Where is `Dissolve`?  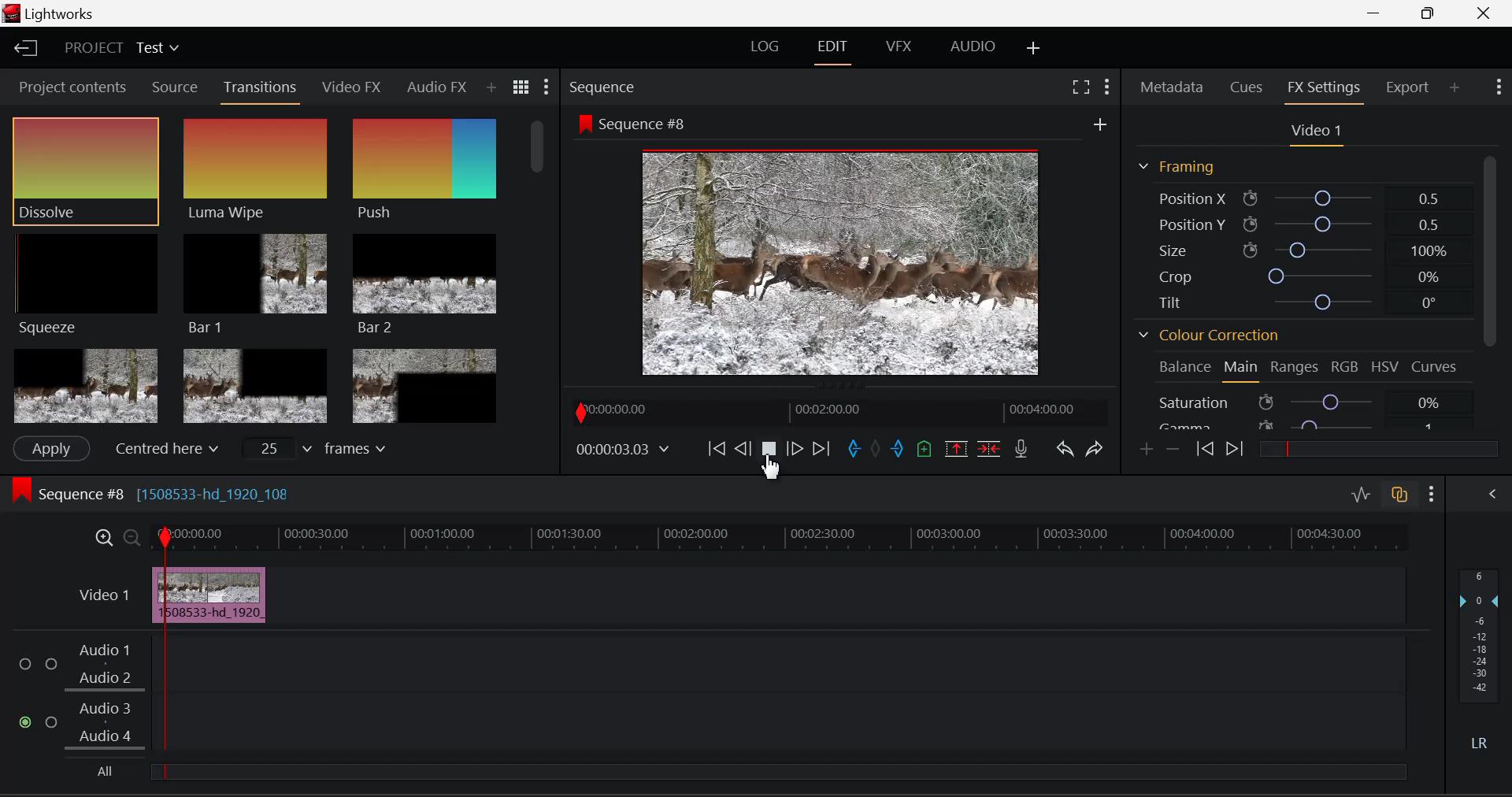
Dissolve is located at coordinates (86, 170).